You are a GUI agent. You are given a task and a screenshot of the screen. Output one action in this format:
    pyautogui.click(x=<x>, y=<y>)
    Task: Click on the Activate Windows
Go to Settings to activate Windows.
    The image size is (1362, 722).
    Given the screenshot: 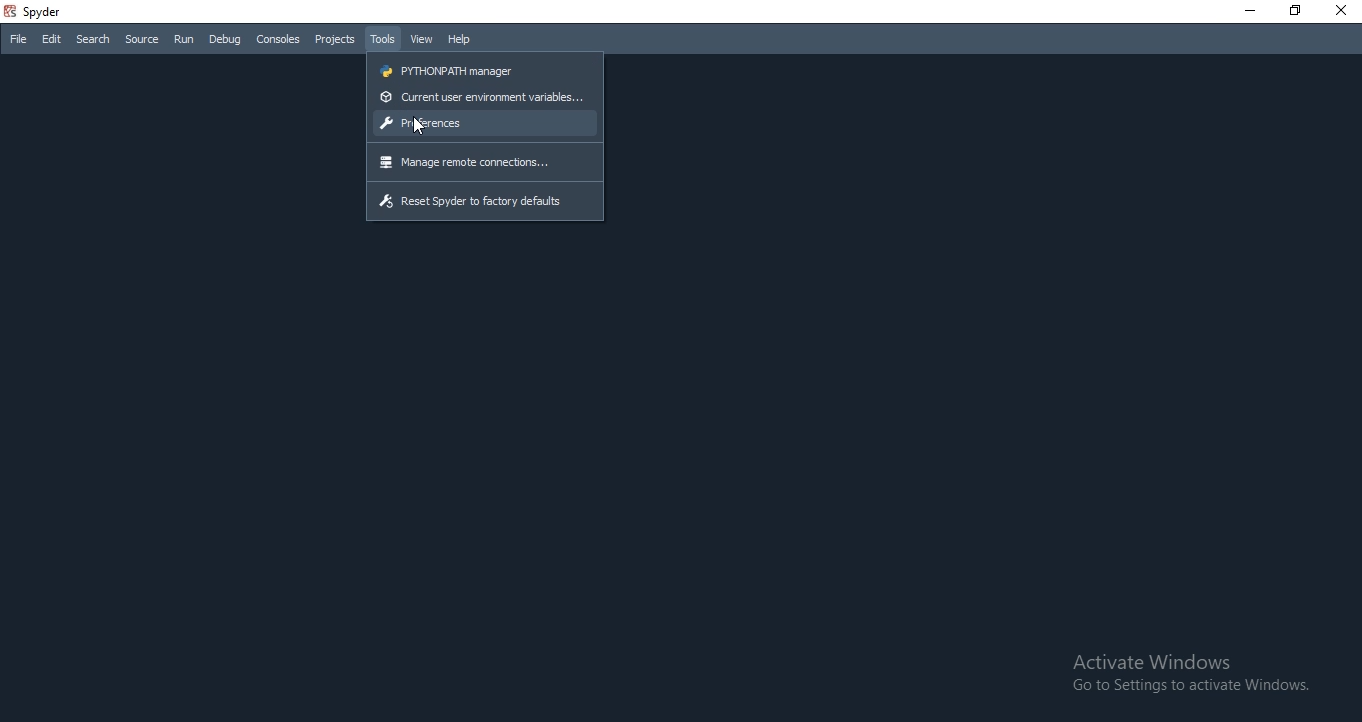 What is the action you would take?
    pyautogui.click(x=1187, y=671)
    